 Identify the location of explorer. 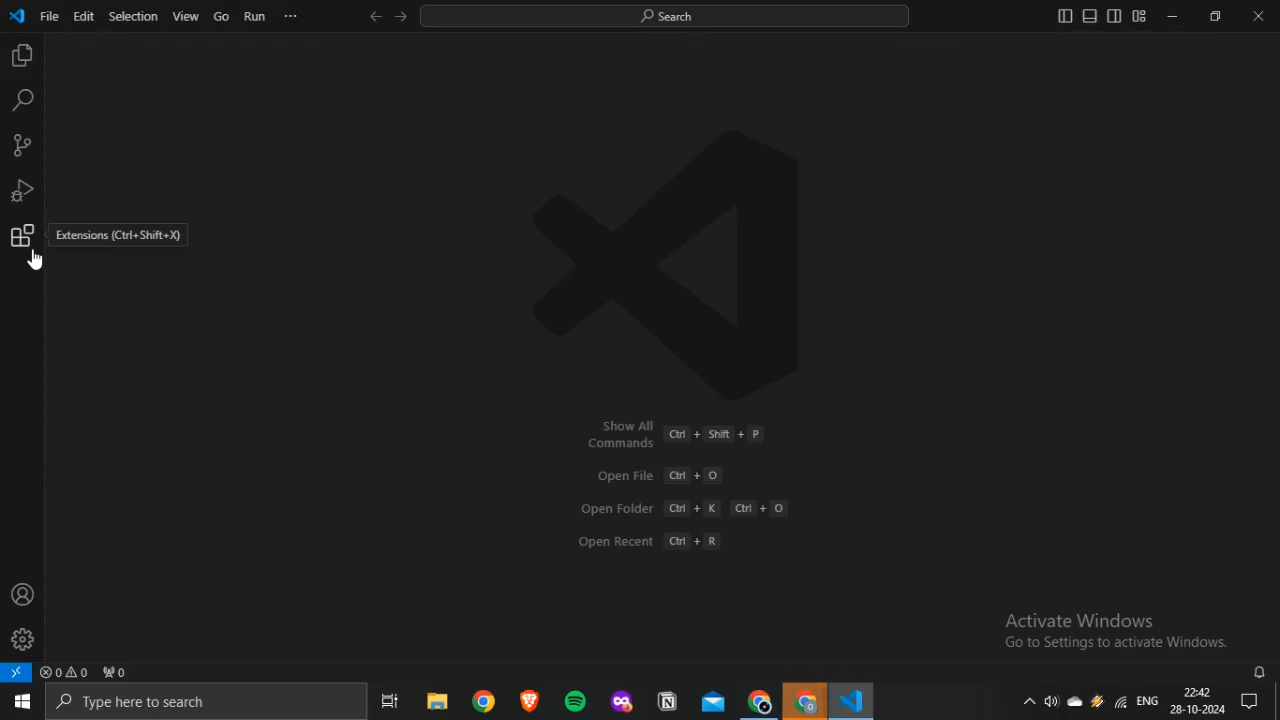
(21, 56).